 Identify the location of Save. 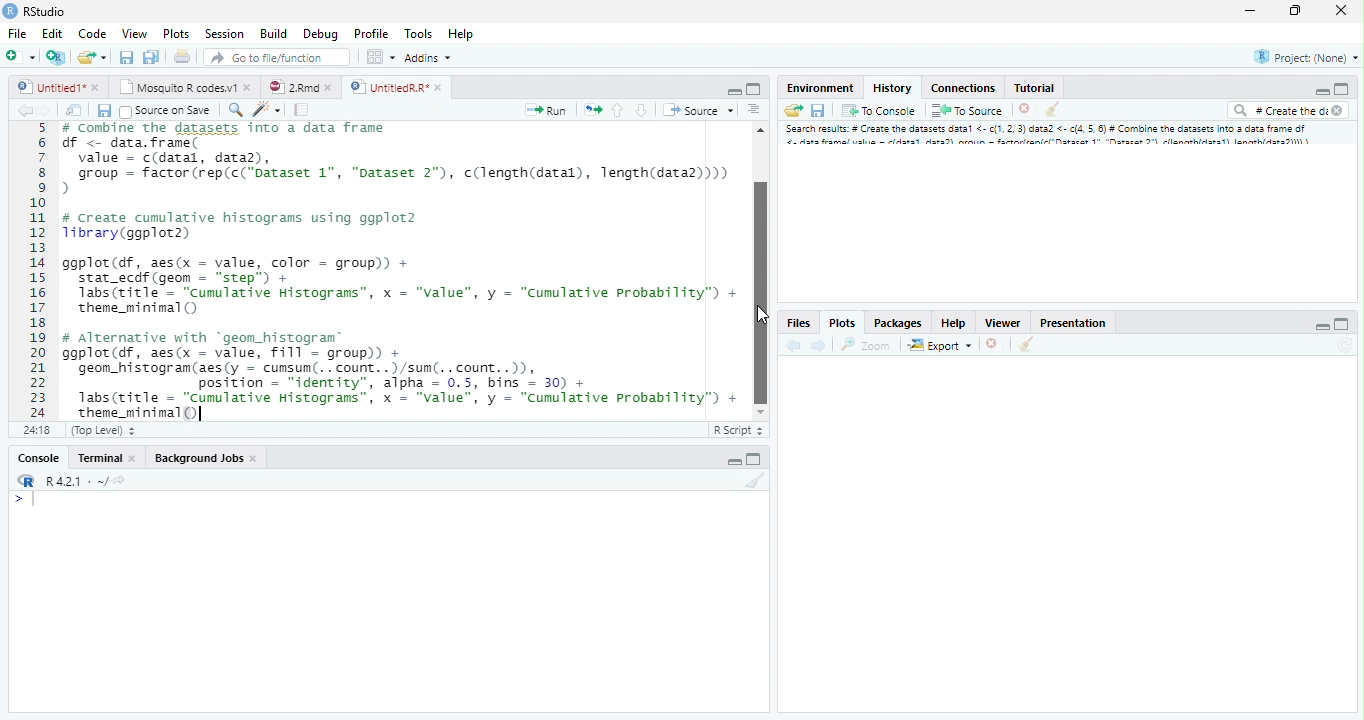
(126, 57).